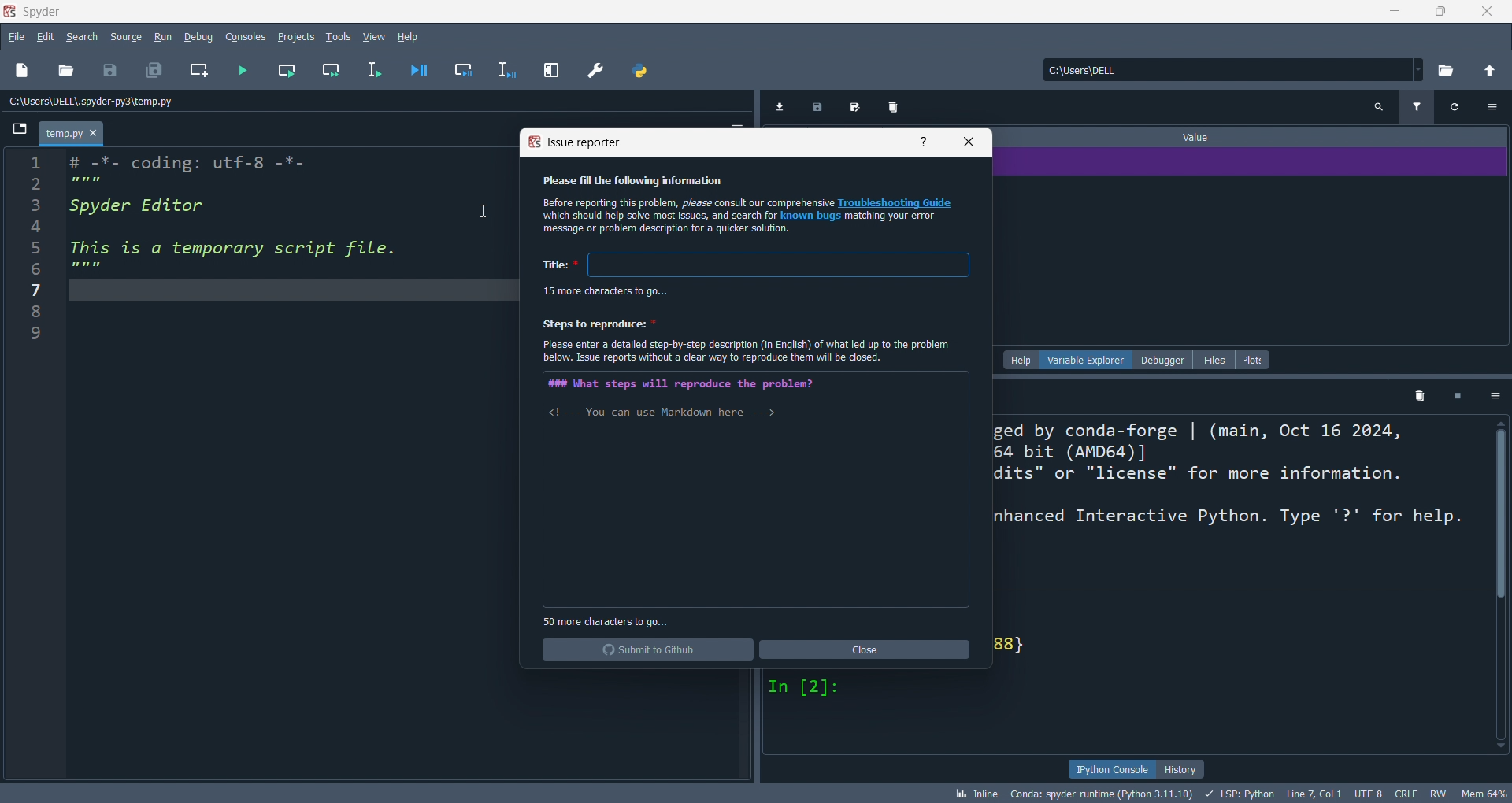  Describe the element at coordinates (198, 38) in the screenshot. I see `debug` at that location.